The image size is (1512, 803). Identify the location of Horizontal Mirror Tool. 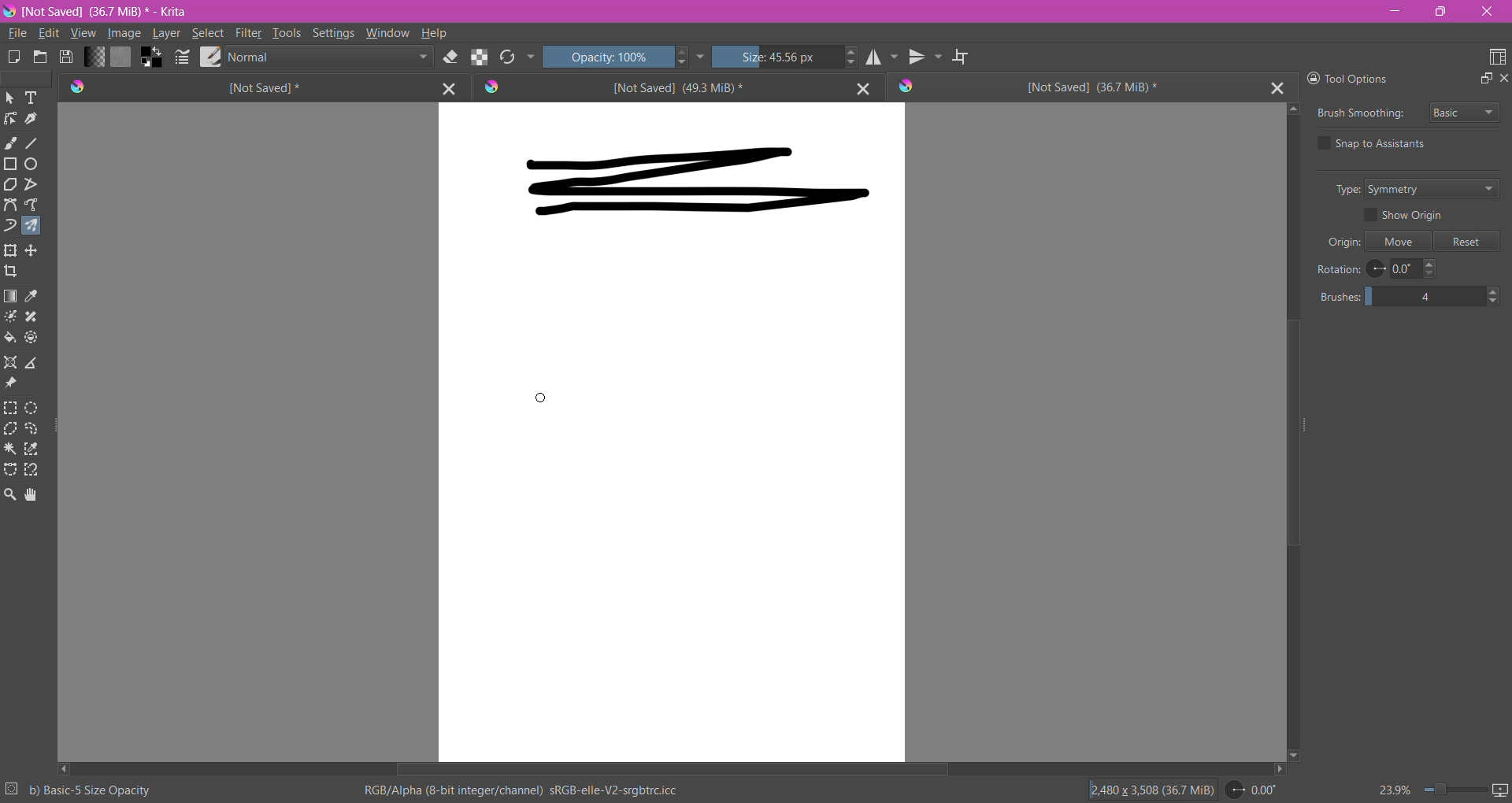
(881, 57).